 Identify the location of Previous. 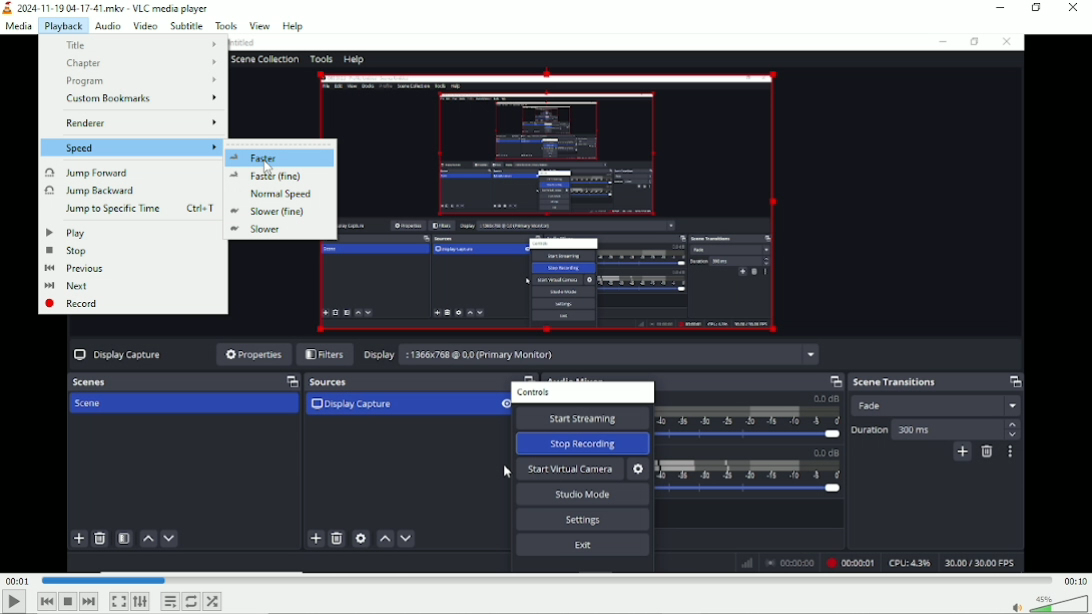
(47, 601).